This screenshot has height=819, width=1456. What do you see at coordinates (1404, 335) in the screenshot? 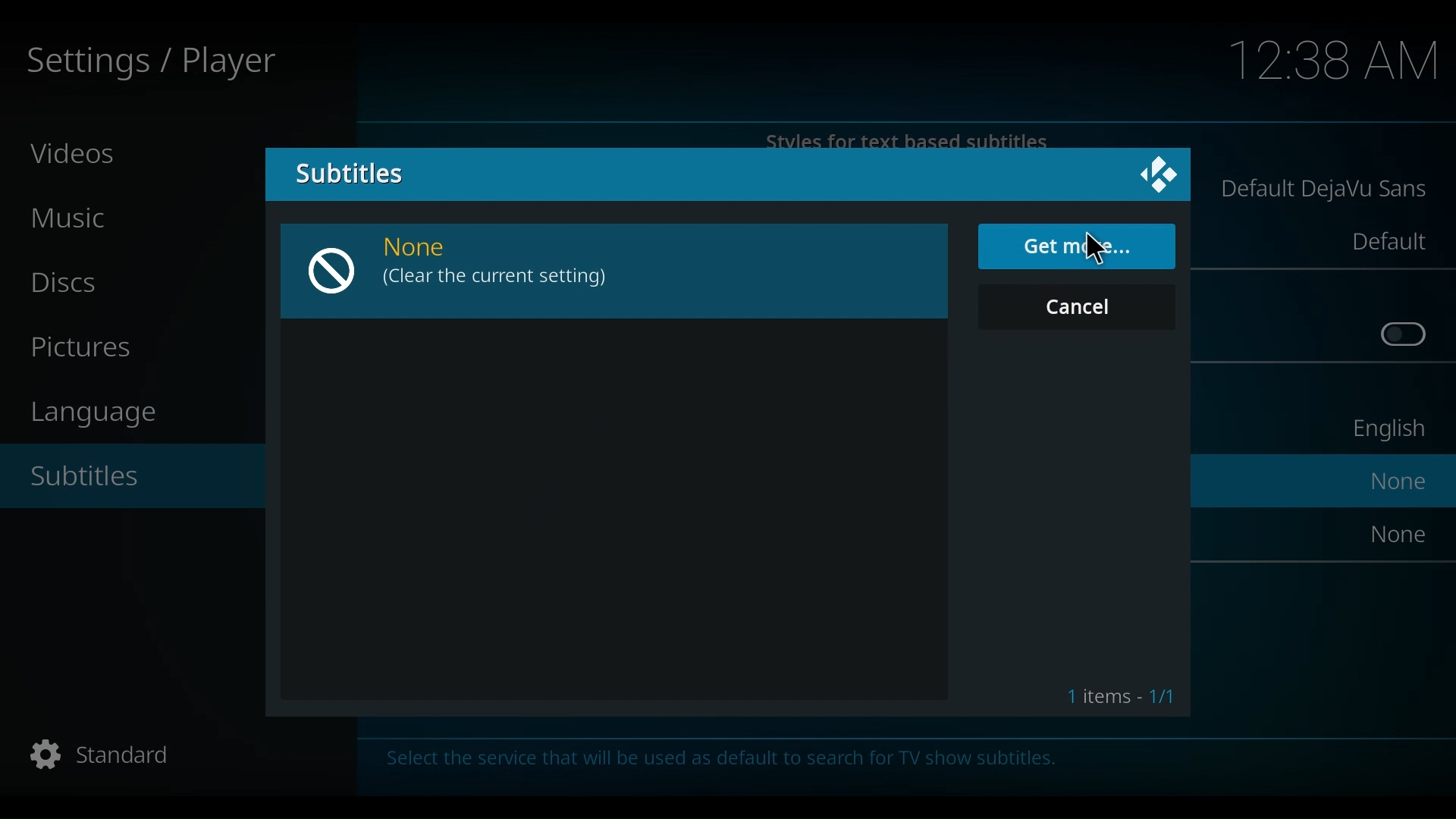
I see `Toggle on/off` at bounding box center [1404, 335].